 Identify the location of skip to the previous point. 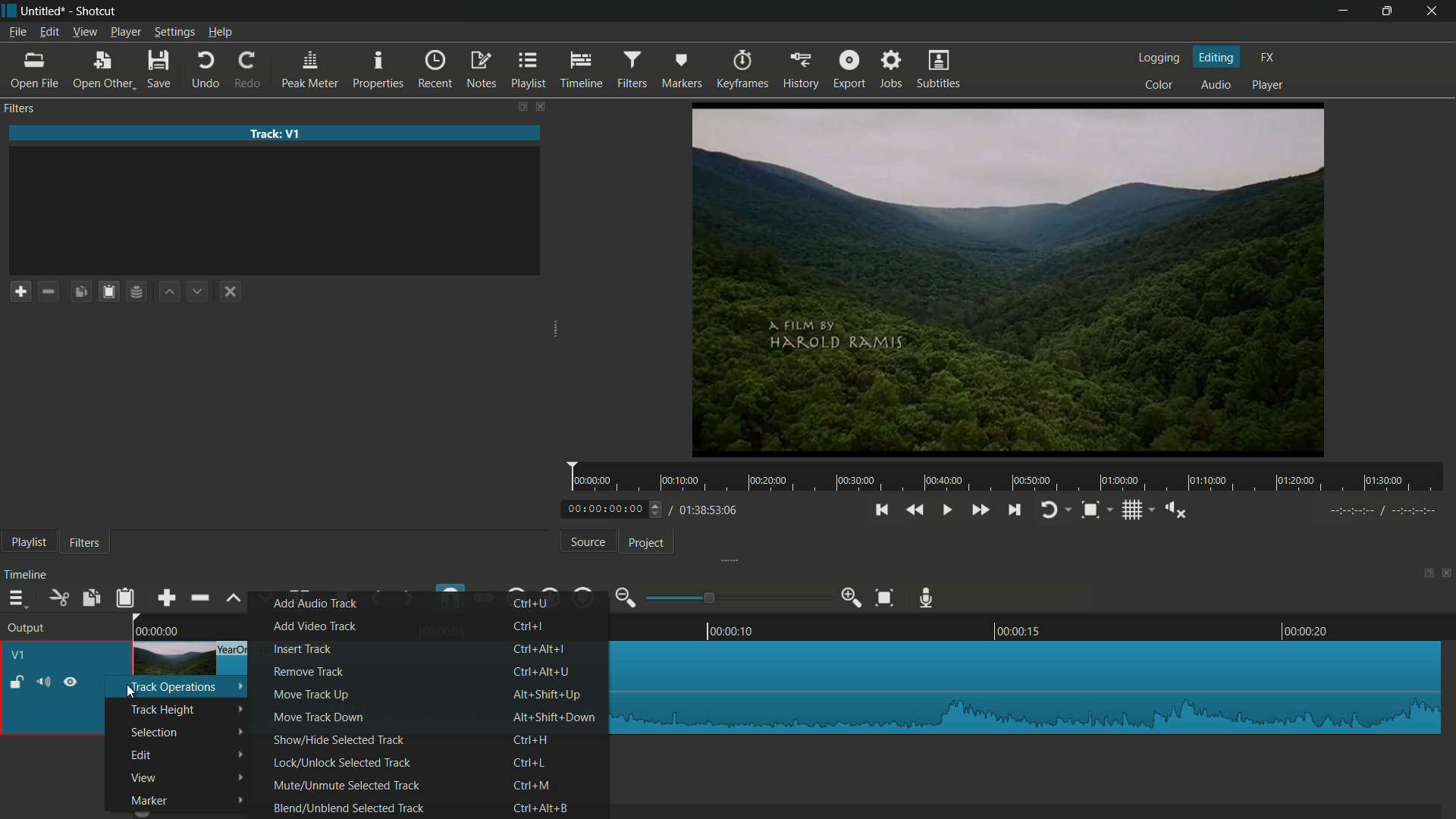
(884, 508).